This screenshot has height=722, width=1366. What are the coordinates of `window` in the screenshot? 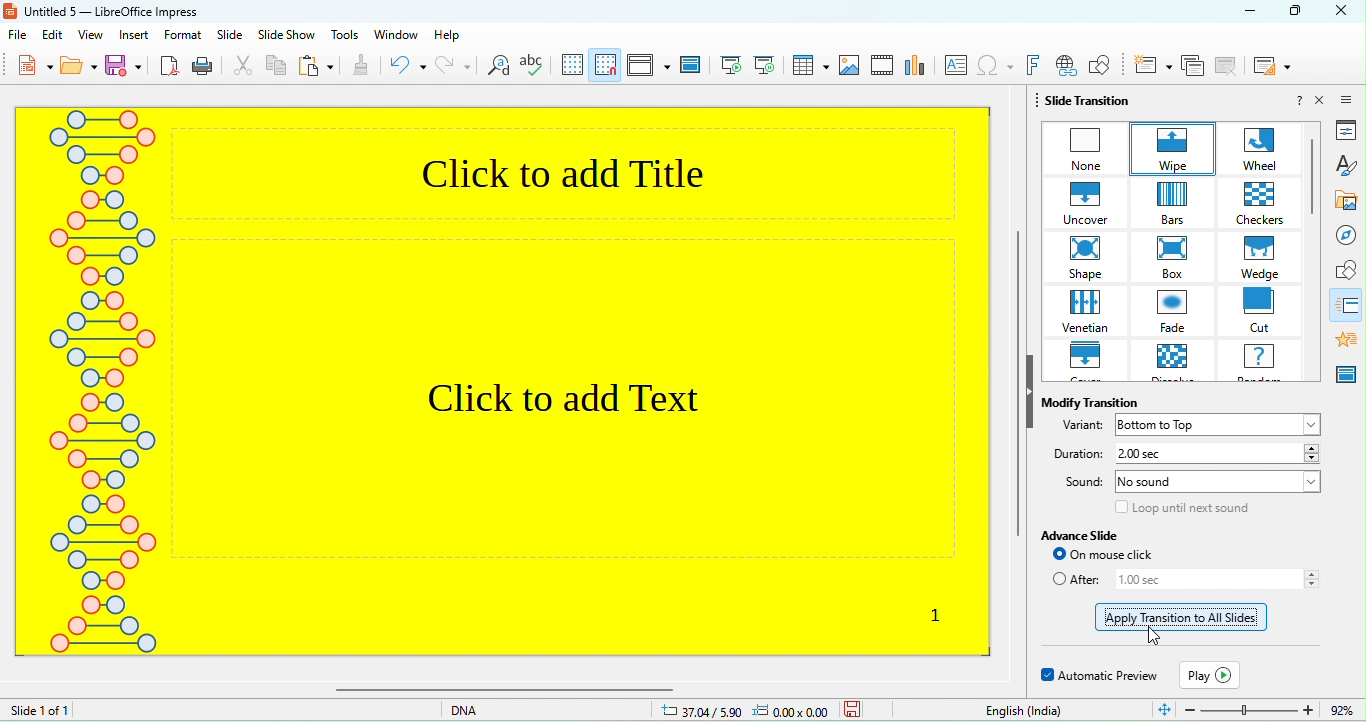 It's located at (396, 38).